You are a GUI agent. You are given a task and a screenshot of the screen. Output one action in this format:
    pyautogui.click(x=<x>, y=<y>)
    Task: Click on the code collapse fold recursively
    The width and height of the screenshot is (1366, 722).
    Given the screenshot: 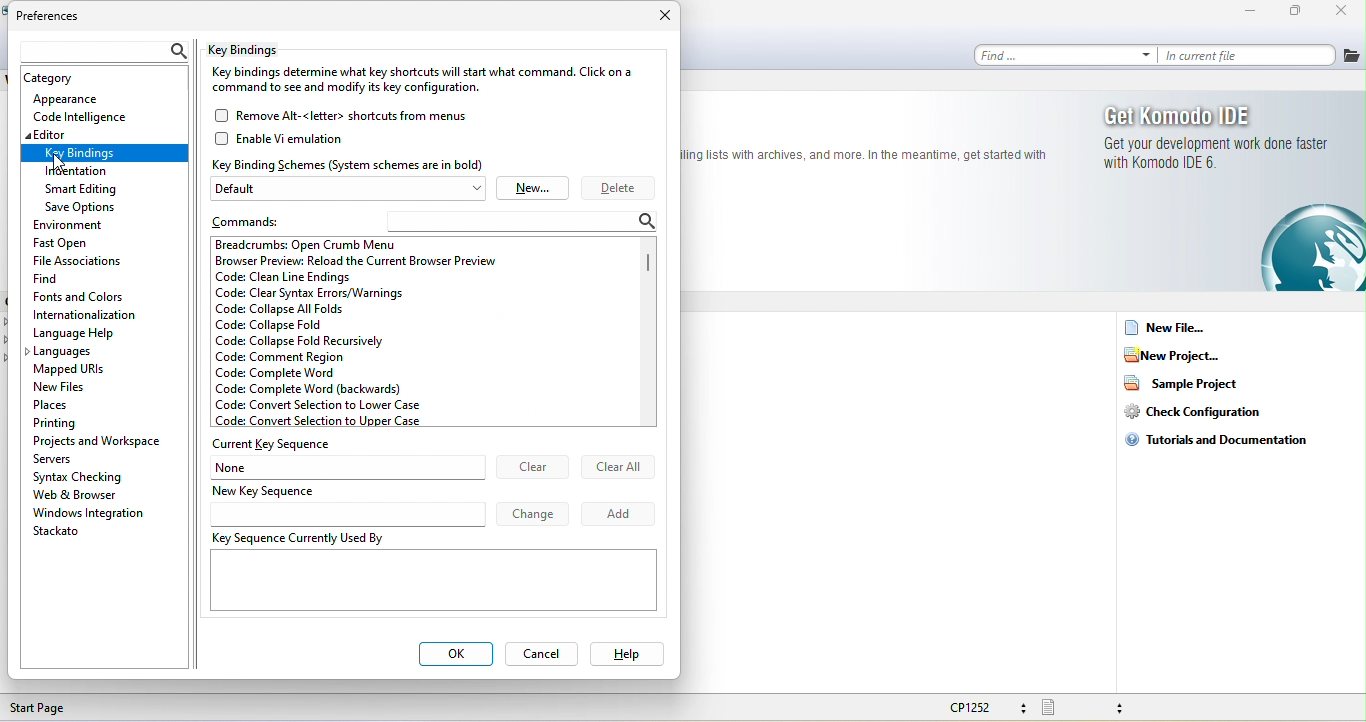 What is the action you would take?
    pyautogui.click(x=300, y=342)
    